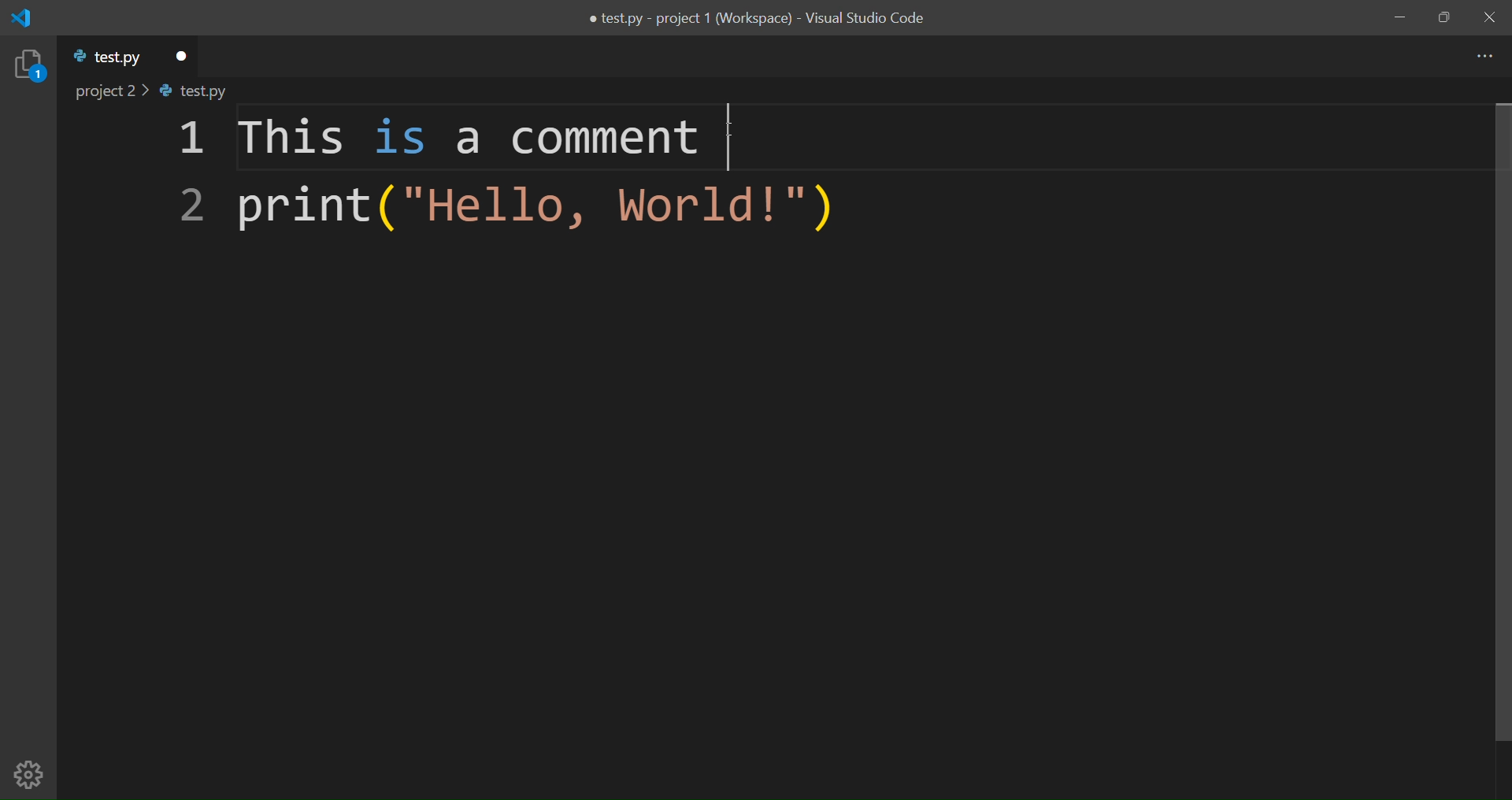  I want to click on close file, so click(180, 53).